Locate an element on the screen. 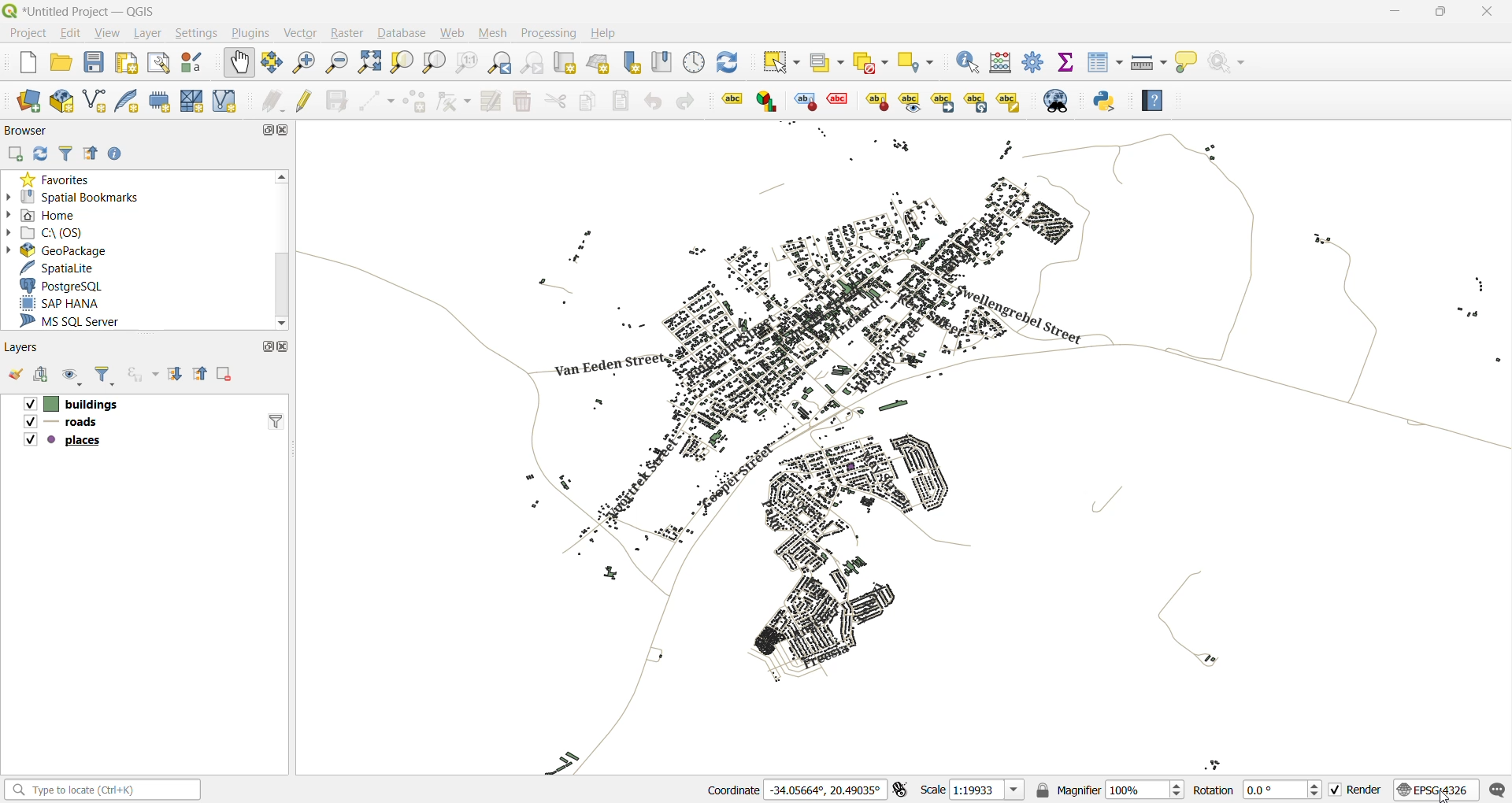 This screenshot has height=803, width=1512. new map view is located at coordinates (567, 62).